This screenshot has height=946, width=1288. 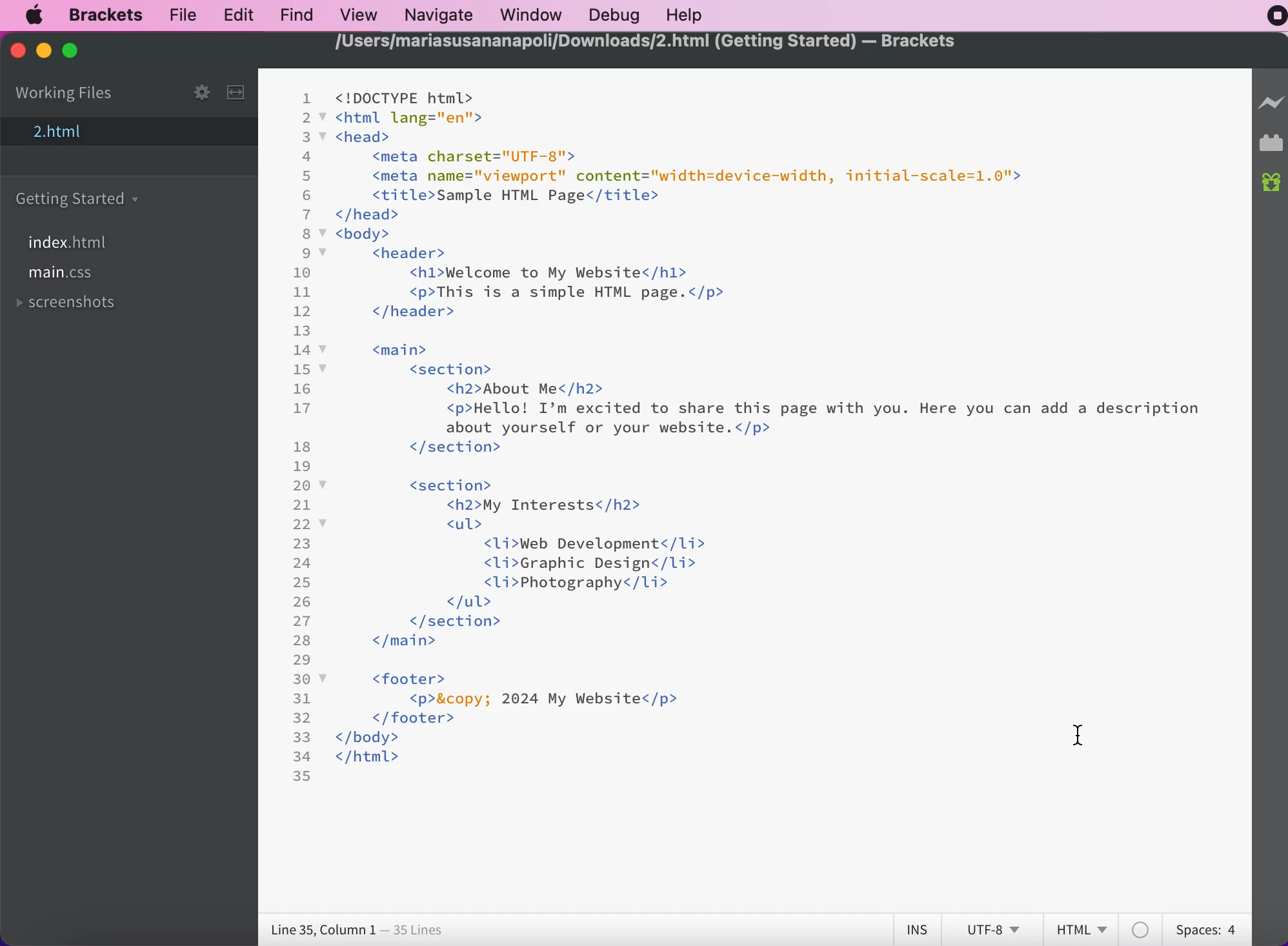 I want to click on 8, so click(x=306, y=234).